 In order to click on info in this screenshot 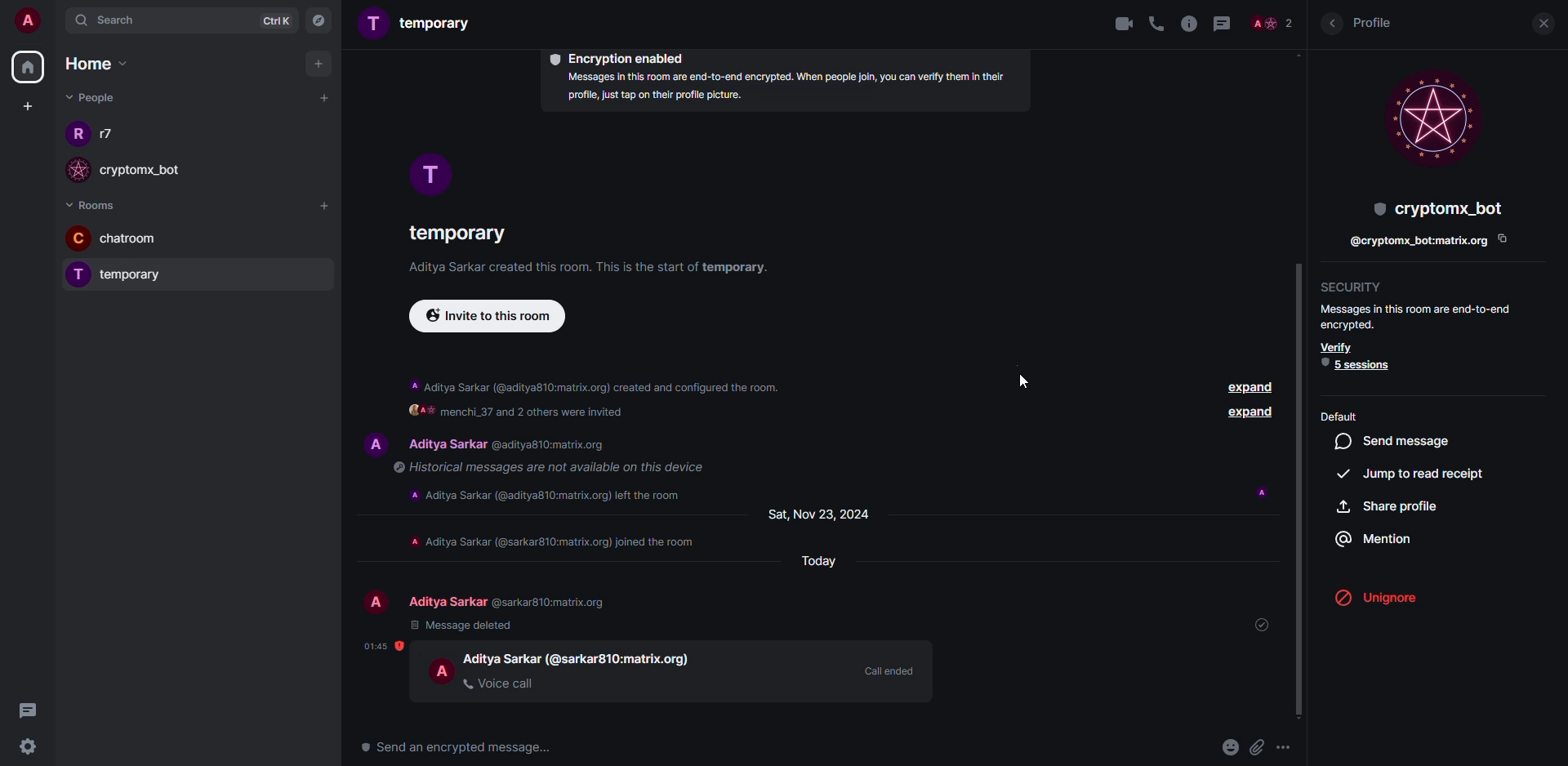, I will do `click(1189, 24)`.